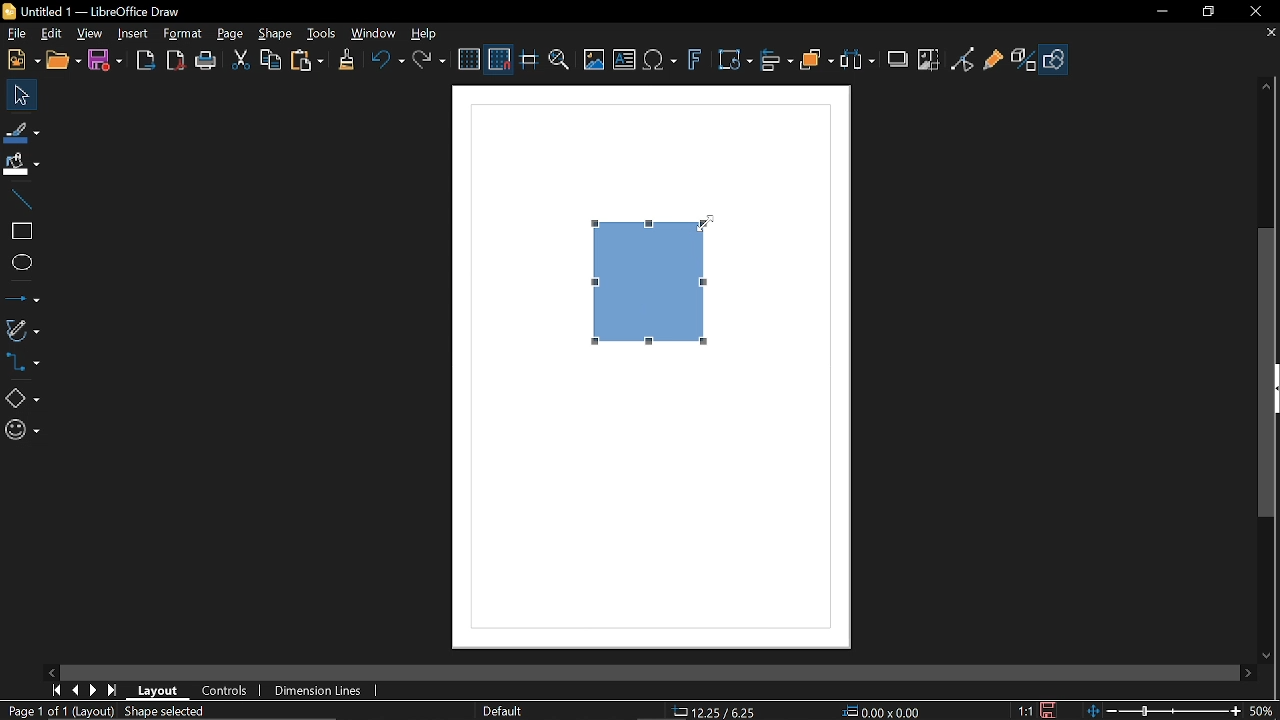  Describe the element at coordinates (112, 690) in the screenshot. I see `last page` at that location.